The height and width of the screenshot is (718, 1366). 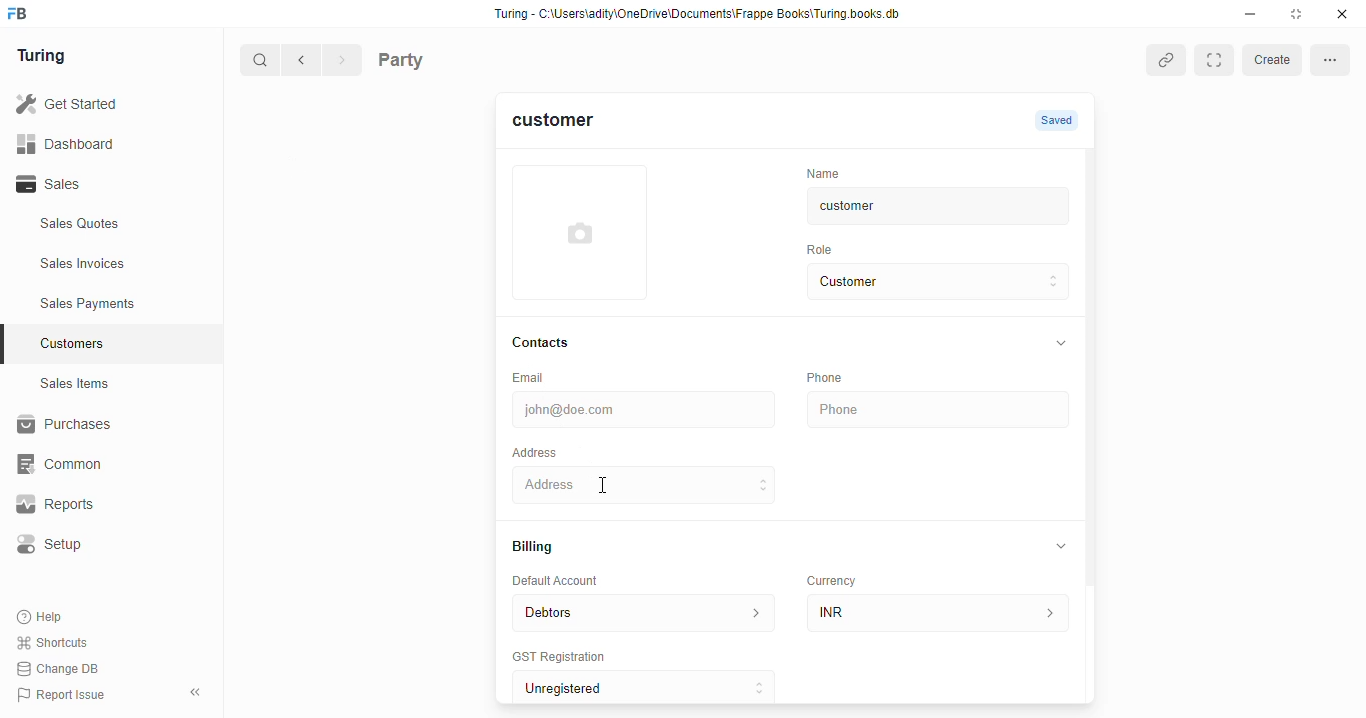 What do you see at coordinates (936, 410) in the screenshot?
I see `Phone` at bounding box center [936, 410].